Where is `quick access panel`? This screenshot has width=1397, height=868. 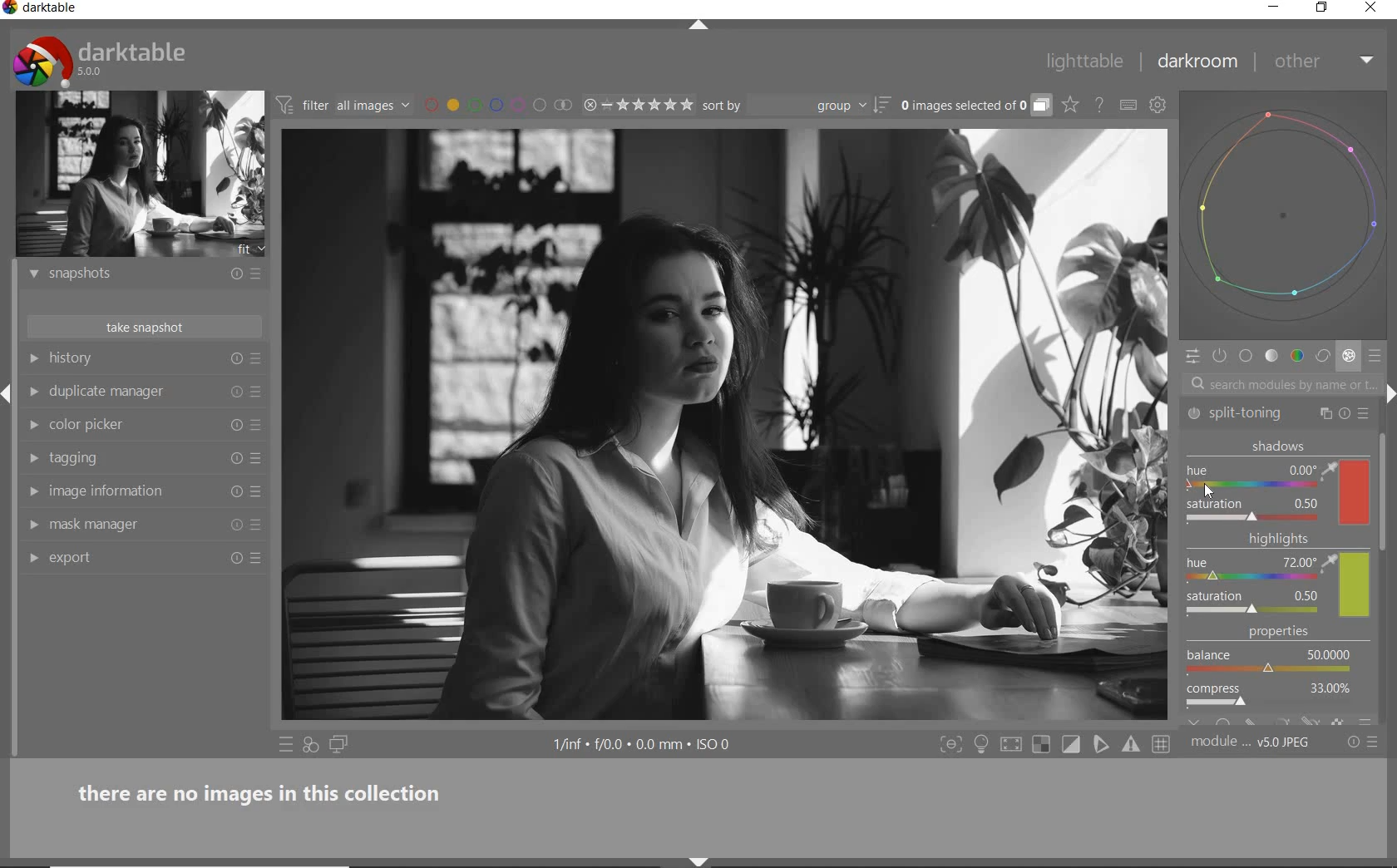 quick access panel is located at coordinates (1192, 356).